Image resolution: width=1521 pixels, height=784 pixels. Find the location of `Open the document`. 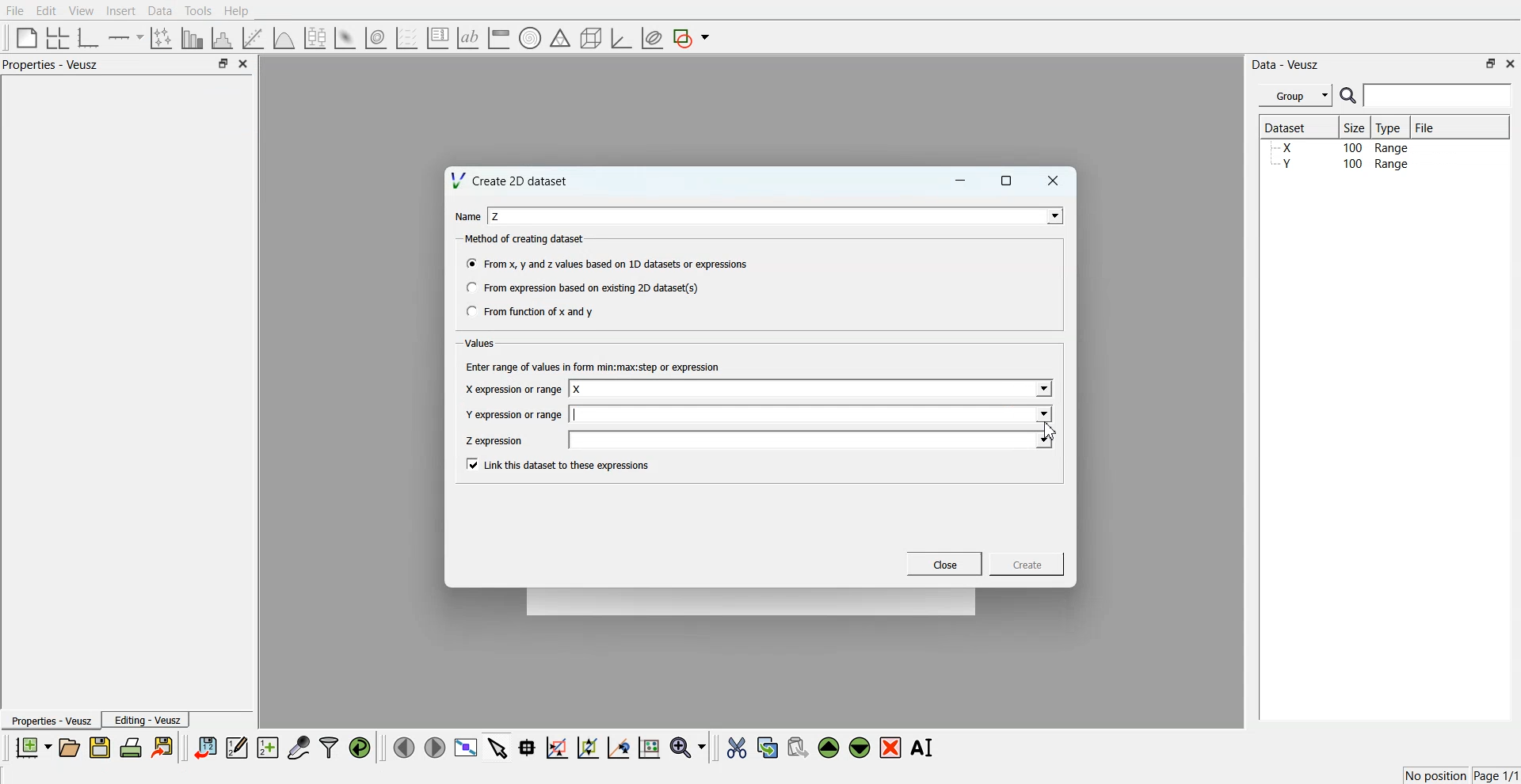

Open the document is located at coordinates (68, 748).